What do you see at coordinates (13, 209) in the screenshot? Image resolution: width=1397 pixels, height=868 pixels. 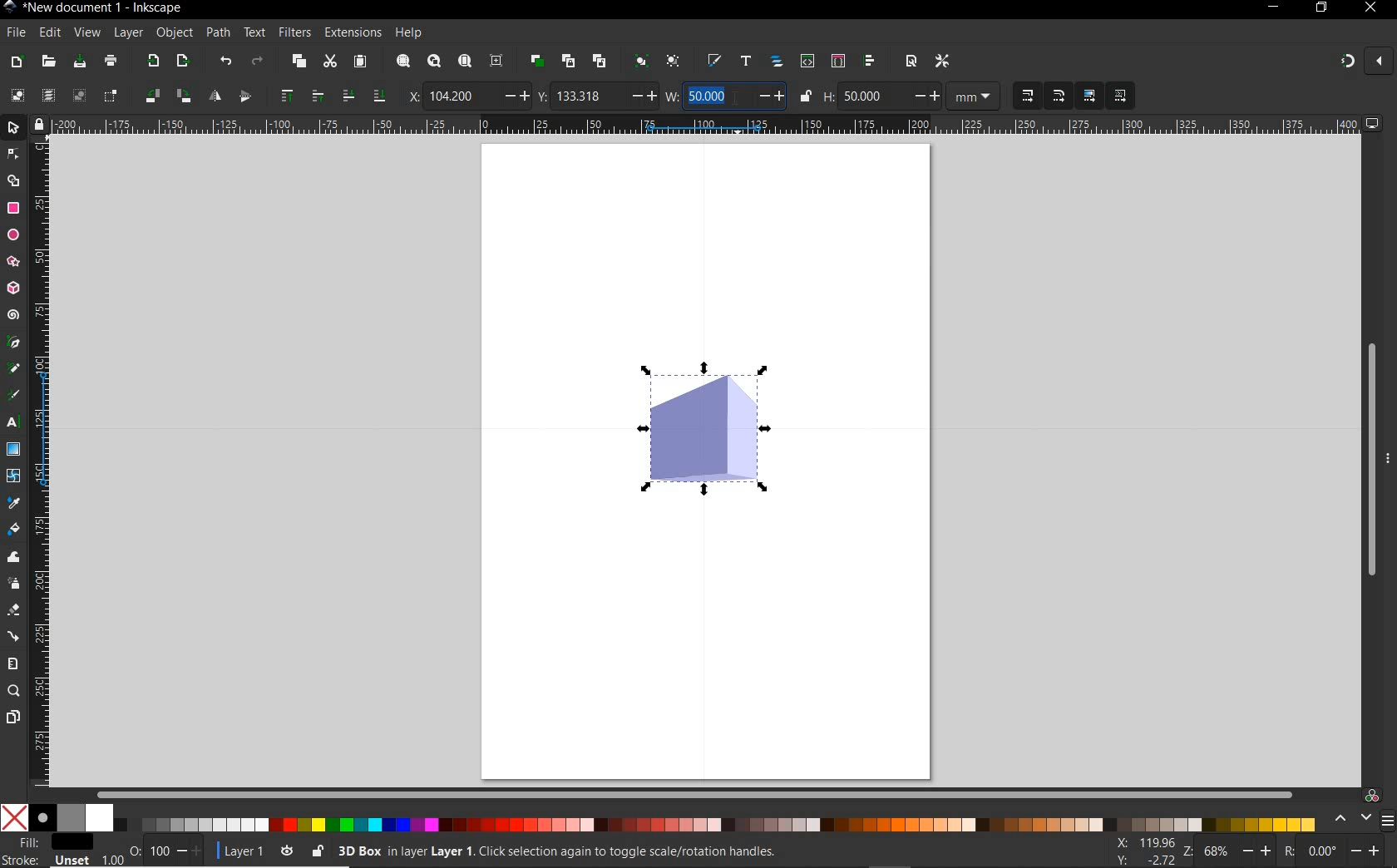 I see `rectangle tool` at bounding box center [13, 209].